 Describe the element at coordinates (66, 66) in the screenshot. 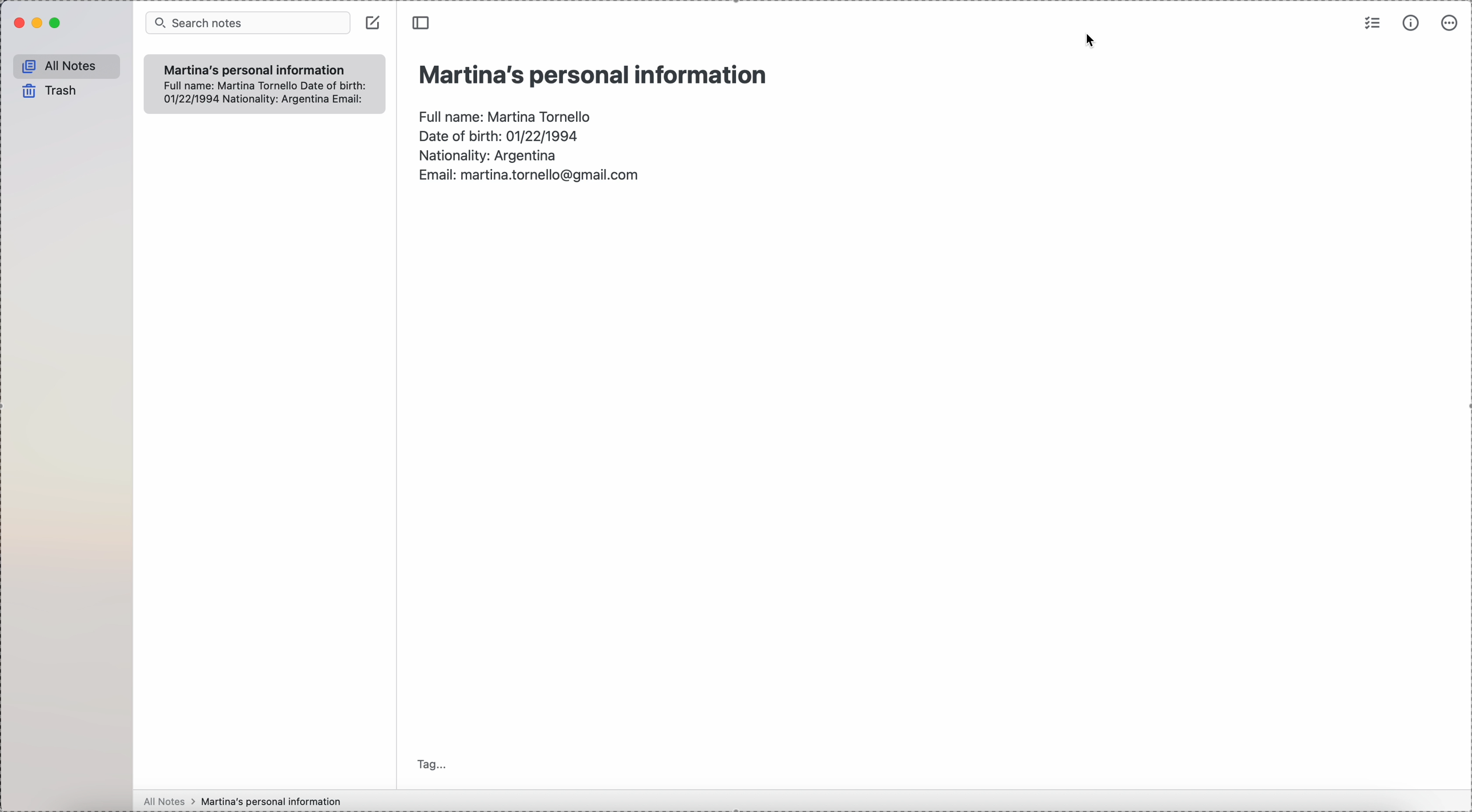

I see `all notes` at that location.